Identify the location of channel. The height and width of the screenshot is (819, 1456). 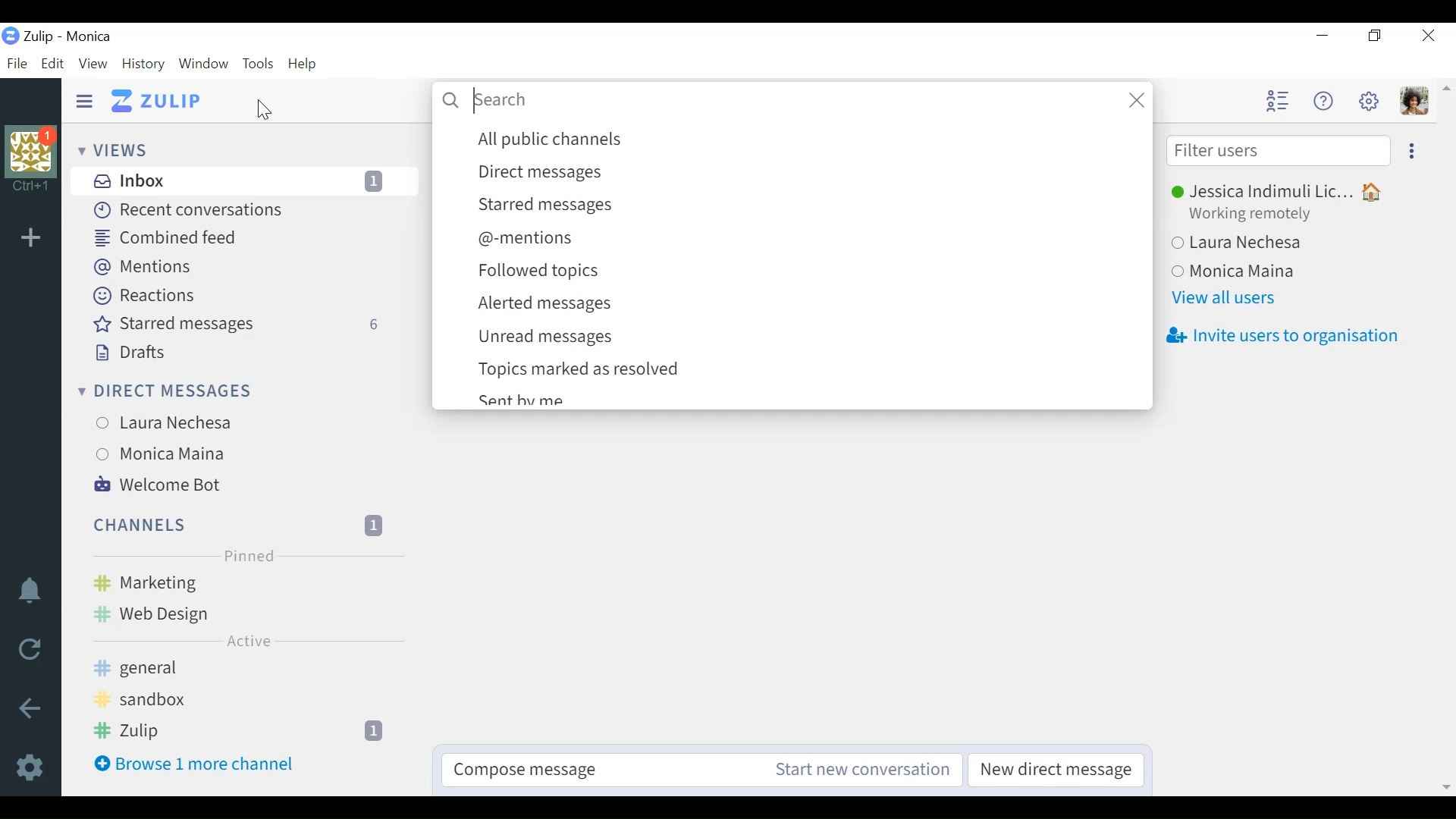
(246, 616).